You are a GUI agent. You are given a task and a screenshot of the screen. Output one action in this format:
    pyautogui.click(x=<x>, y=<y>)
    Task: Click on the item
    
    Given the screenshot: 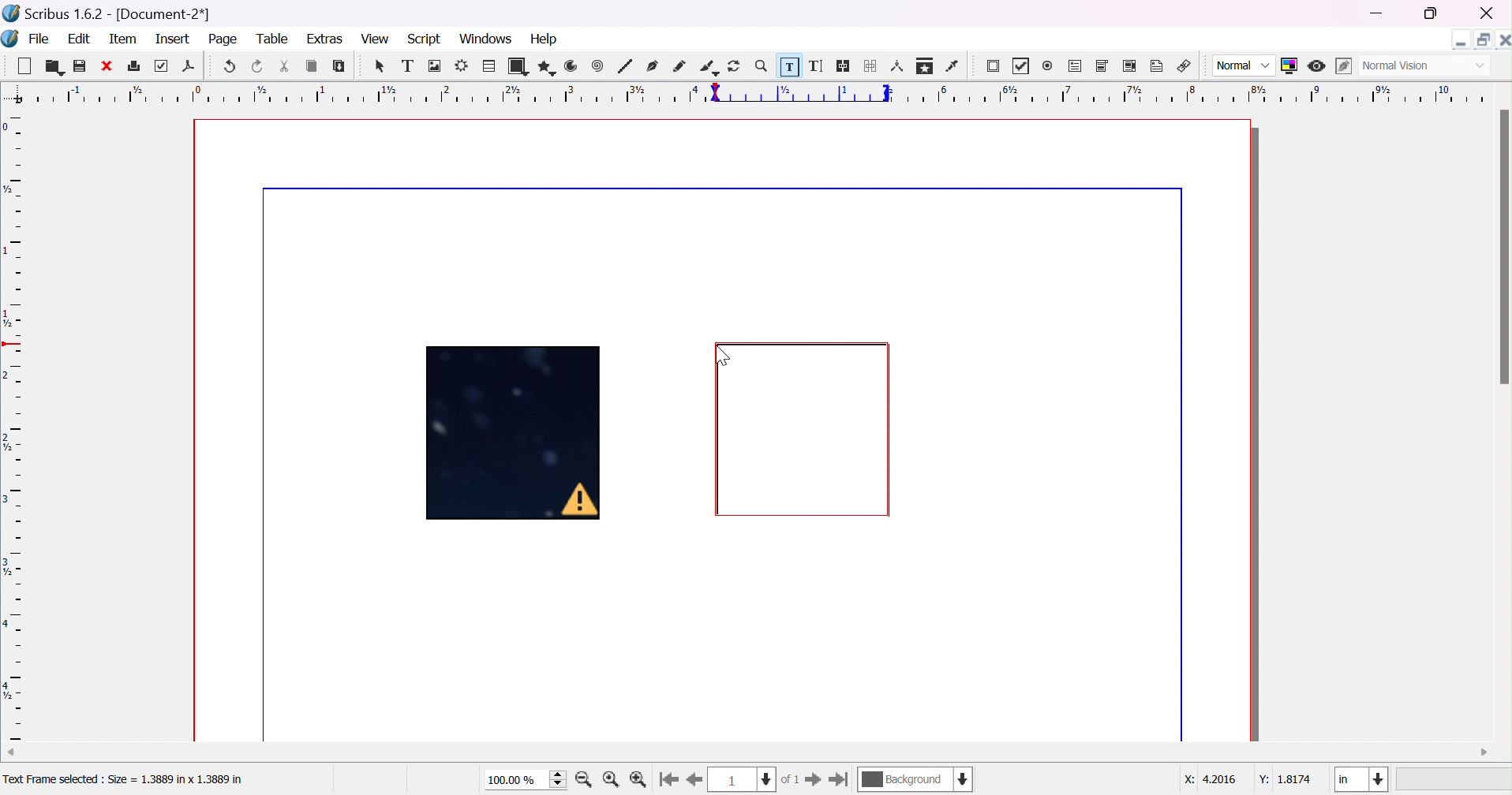 What is the action you would take?
    pyautogui.click(x=122, y=39)
    